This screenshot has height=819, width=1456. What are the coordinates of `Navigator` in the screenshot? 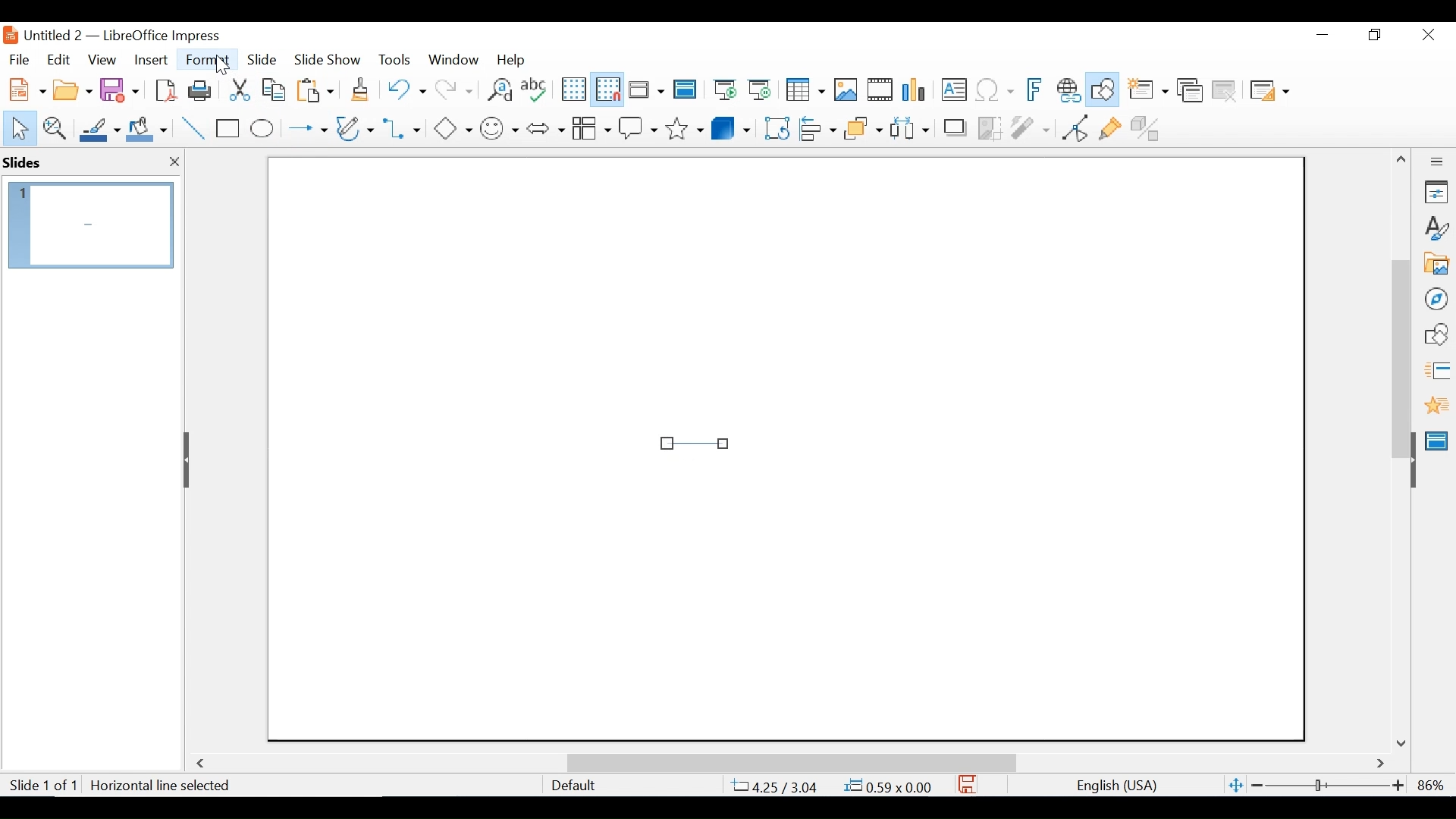 It's located at (1436, 298).